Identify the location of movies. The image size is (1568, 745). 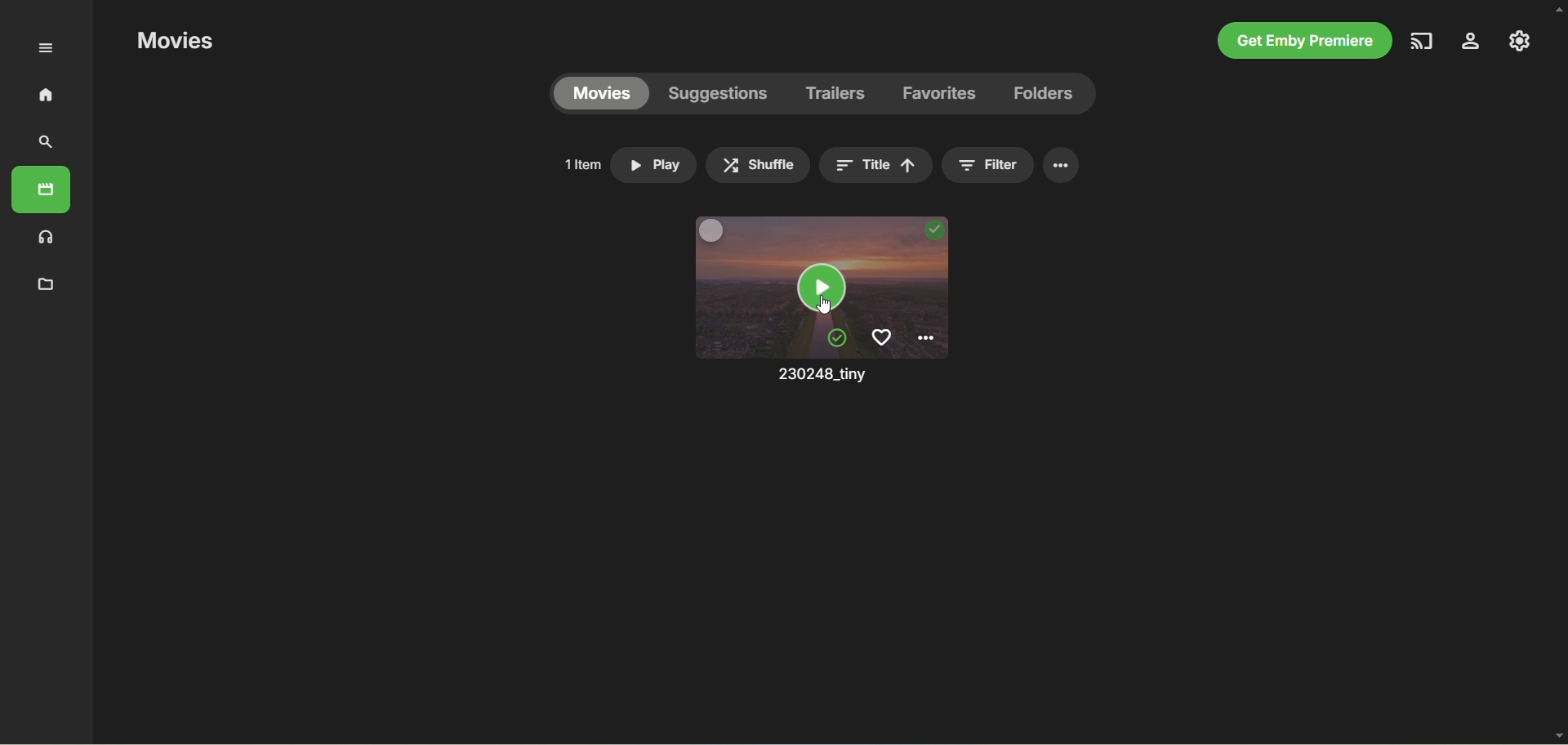
(604, 94).